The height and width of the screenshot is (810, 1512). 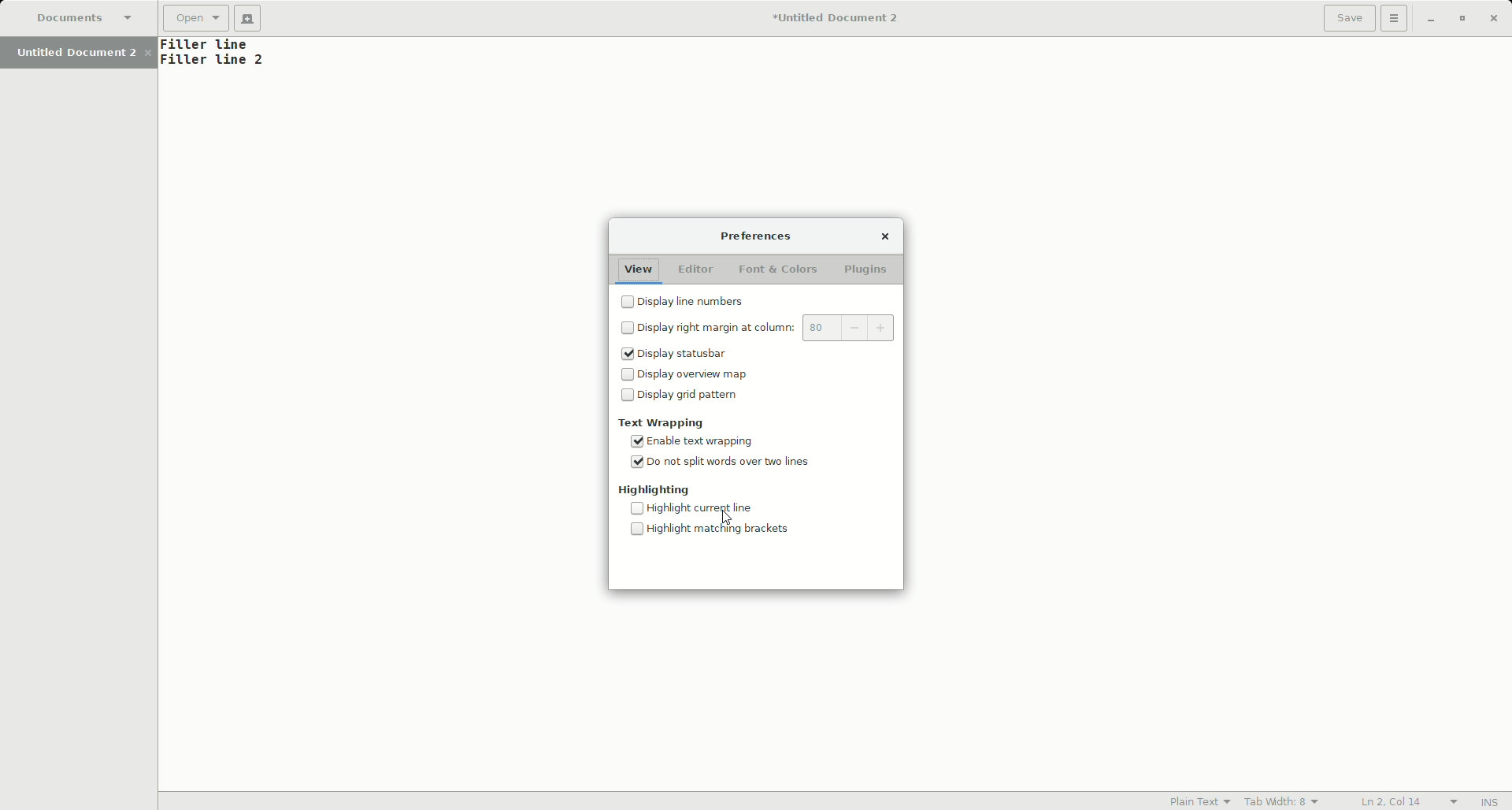 What do you see at coordinates (1195, 801) in the screenshot?
I see `Plain Text` at bounding box center [1195, 801].